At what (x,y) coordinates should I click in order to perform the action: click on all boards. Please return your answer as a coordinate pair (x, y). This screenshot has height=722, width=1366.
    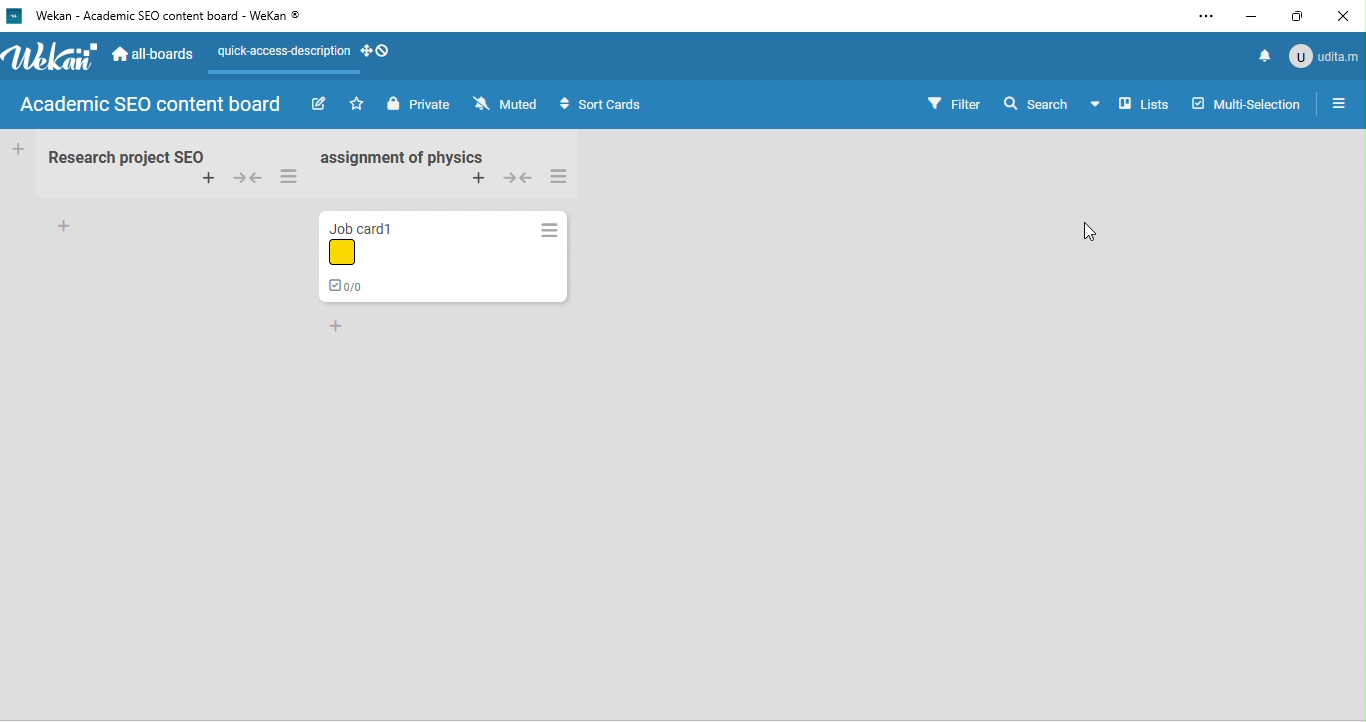
    Looking at the image, I should click on (154, 54).